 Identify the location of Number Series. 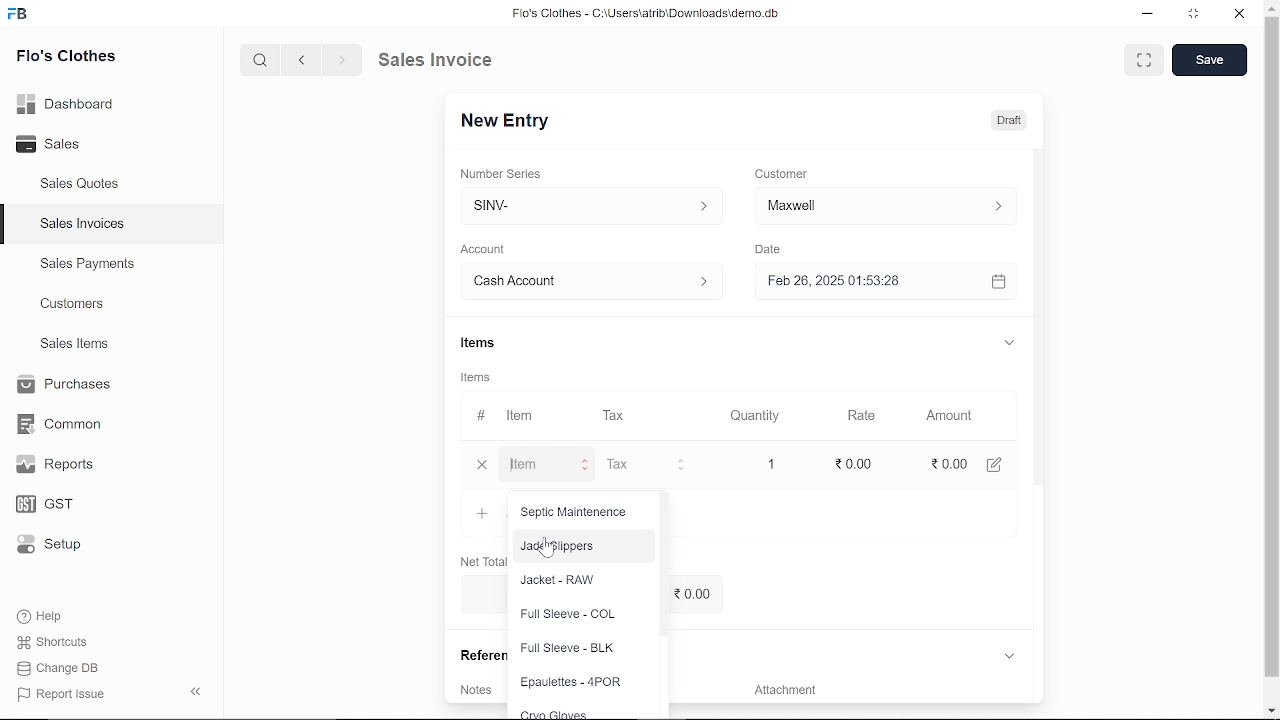
(512, 173).